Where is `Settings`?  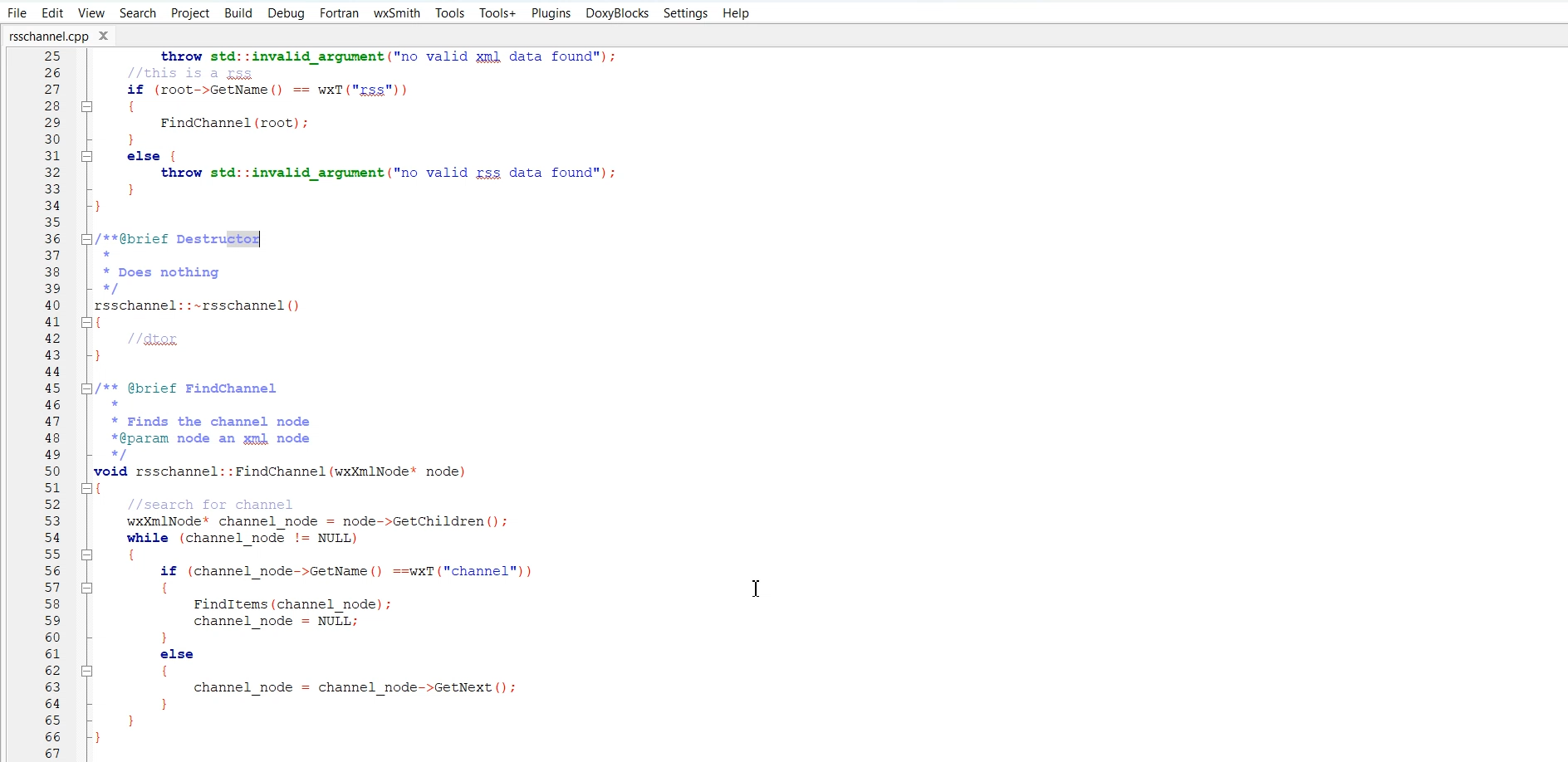 Settings is located at coordinates (687, 12).